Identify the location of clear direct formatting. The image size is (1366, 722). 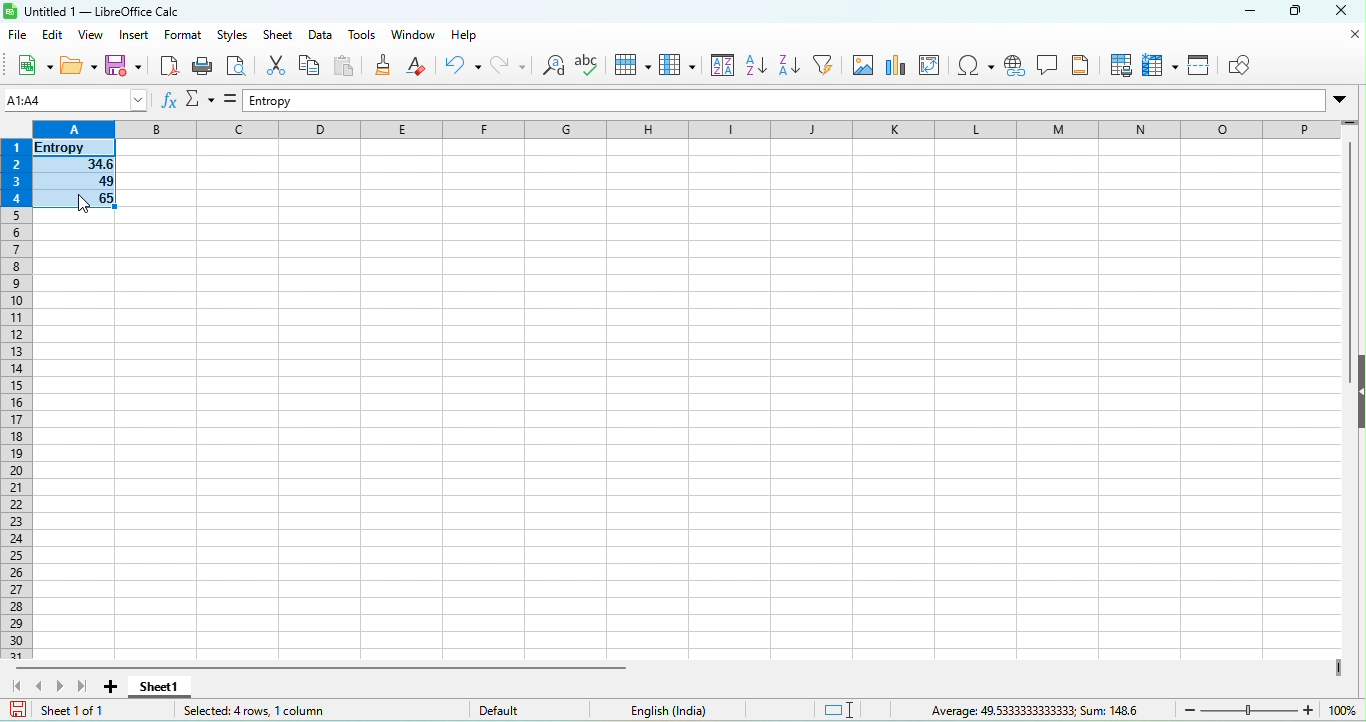
(419, 69).